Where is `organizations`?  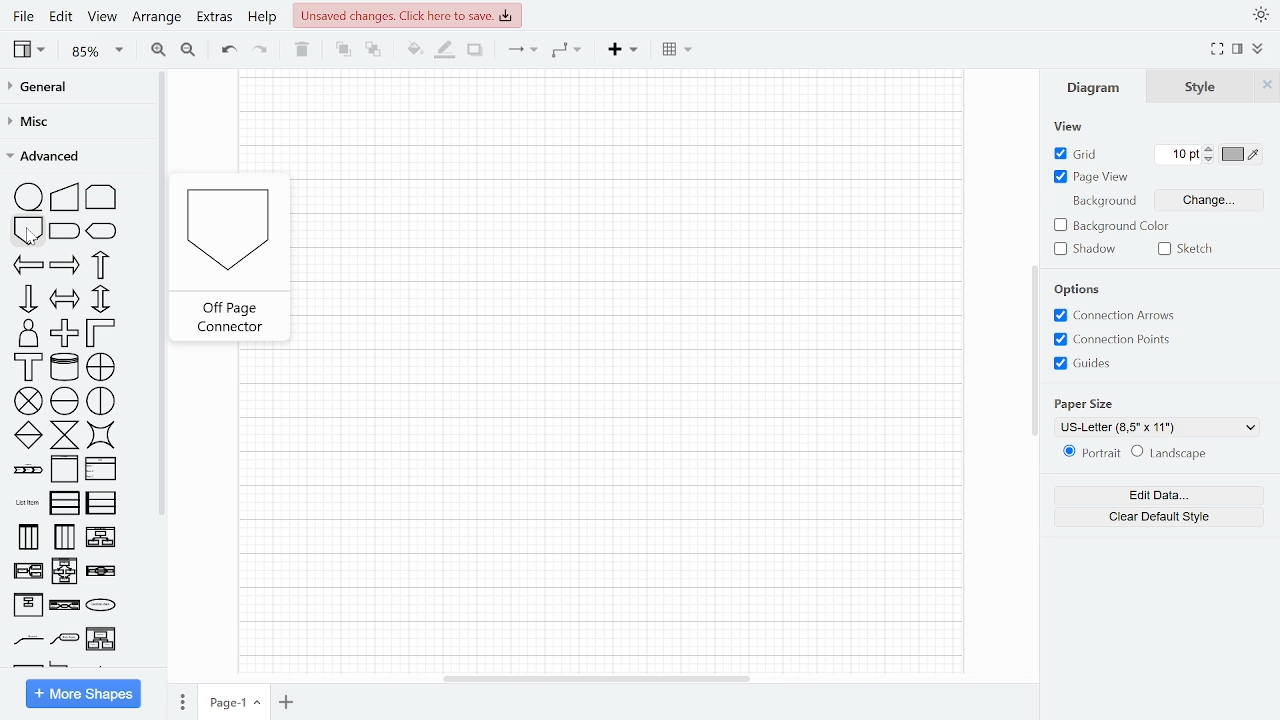 organizations is located at coordinates (102, 639).